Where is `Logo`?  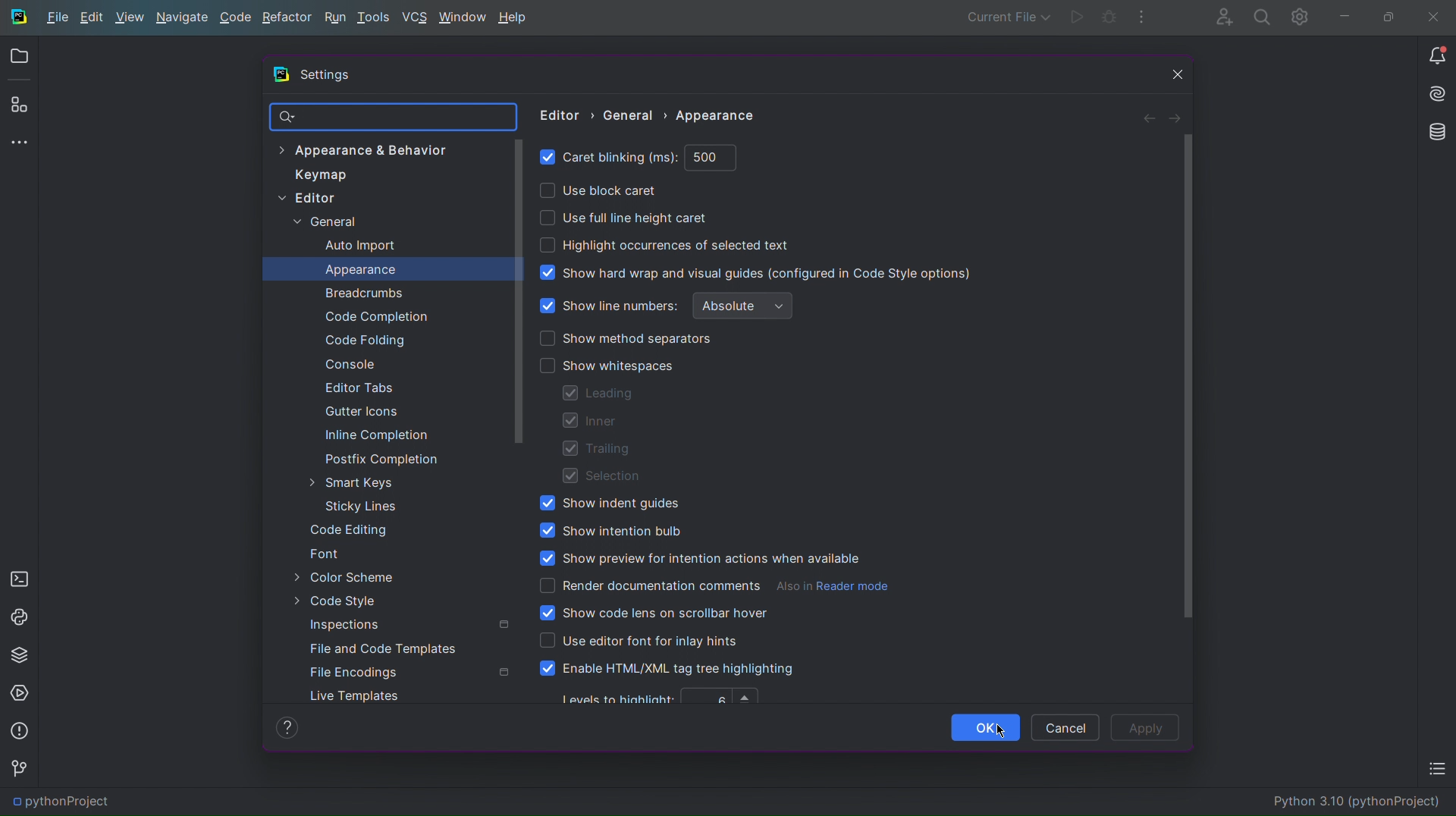
Logo is located at coordinates (19, 19).